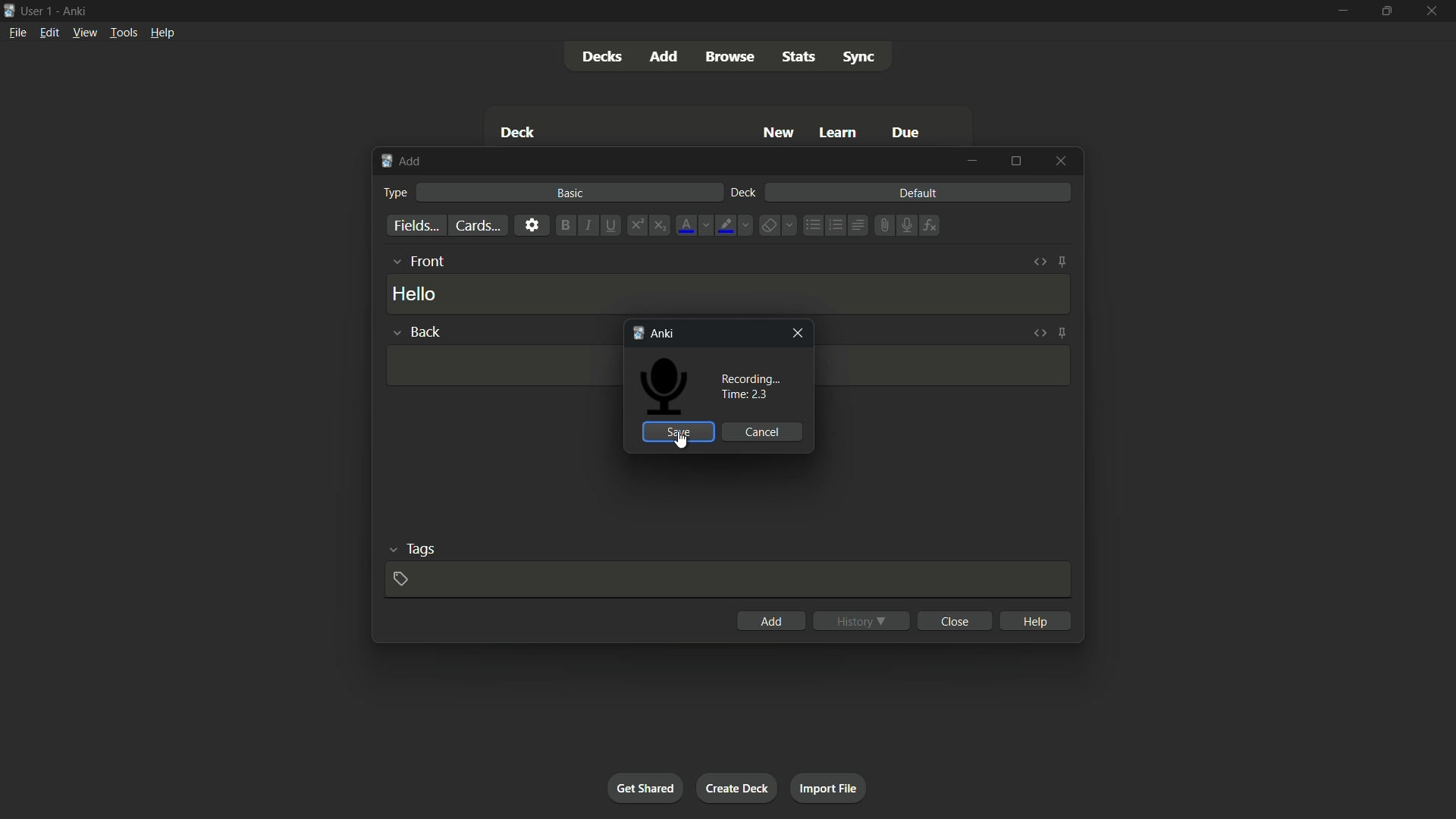 The width and height of the screenshot is (1456, 819). Describe the element at coordinates (779, 226) in the screenshot. I see `remove formatting` at that location.